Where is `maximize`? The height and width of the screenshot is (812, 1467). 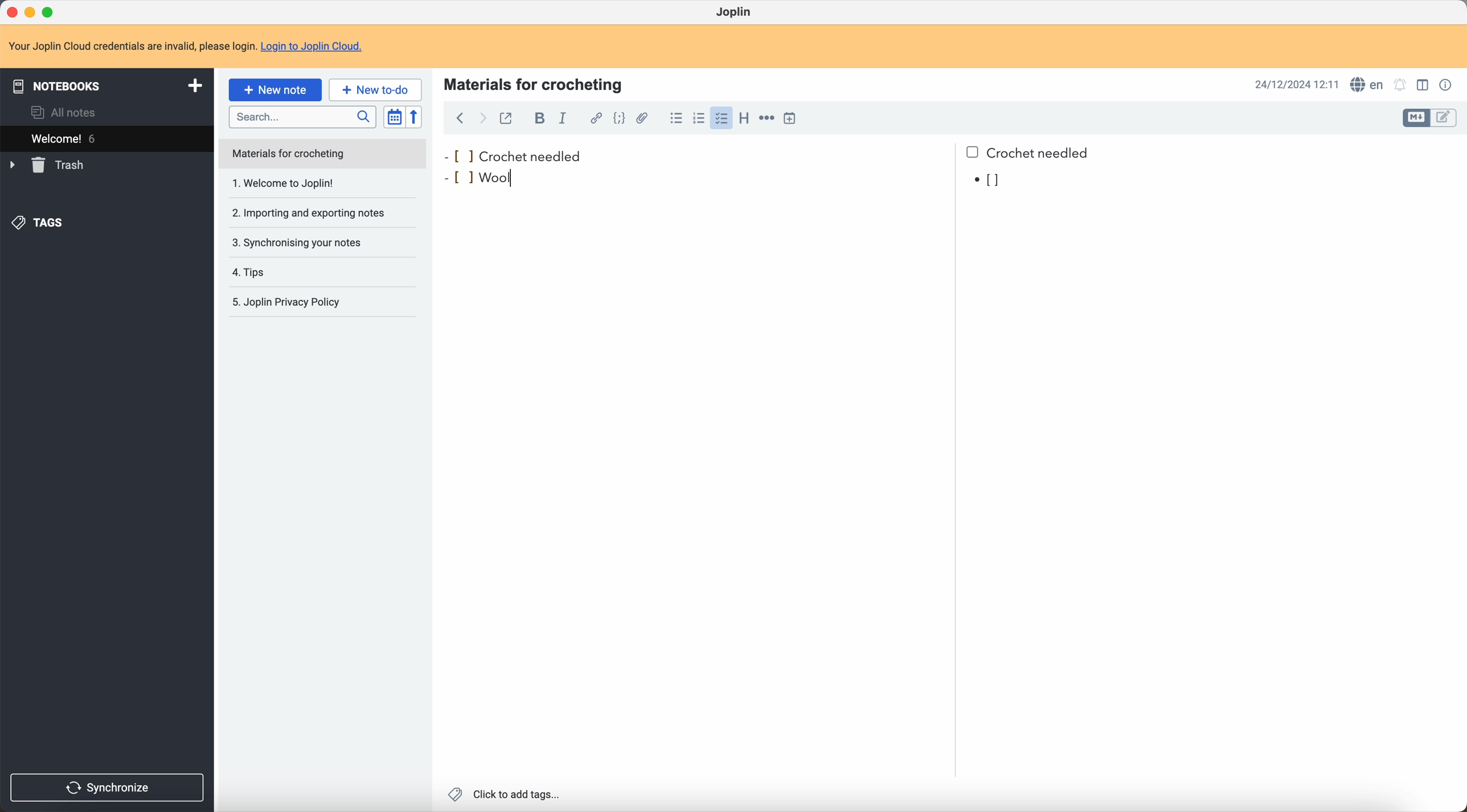 maximize is located at coordinates (51, 13).